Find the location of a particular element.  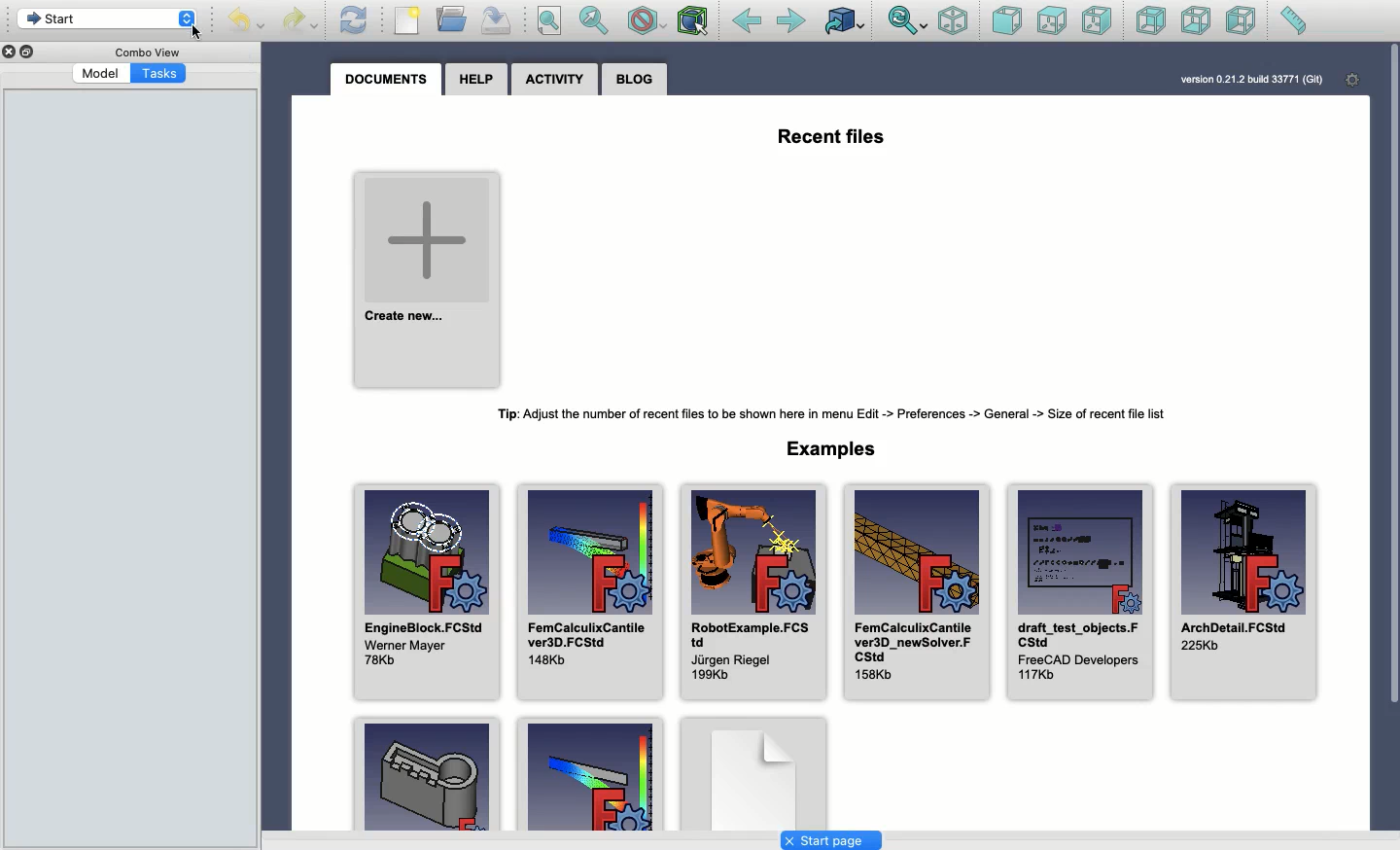

Example 1 is located at coordinates (424, 772).